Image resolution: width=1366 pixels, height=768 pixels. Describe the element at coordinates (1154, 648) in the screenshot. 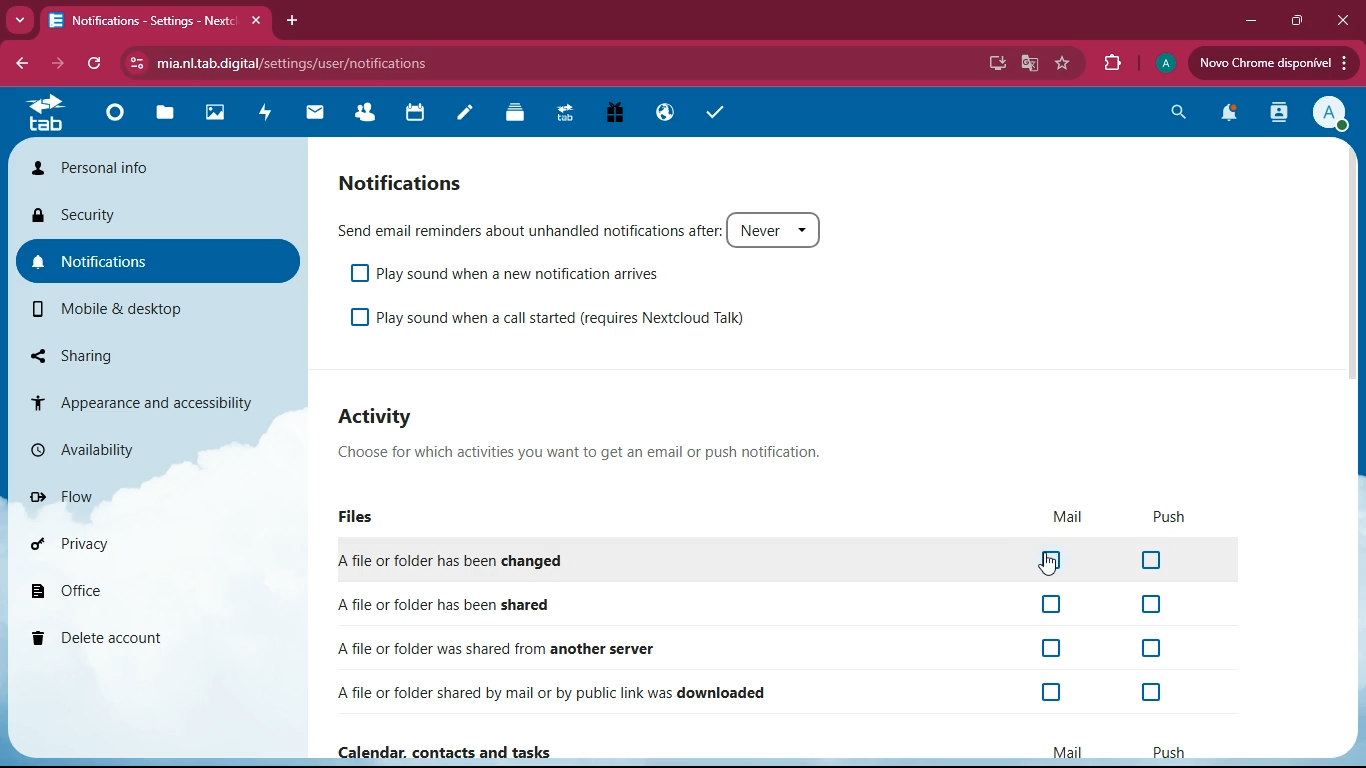

I see `off` at that location.